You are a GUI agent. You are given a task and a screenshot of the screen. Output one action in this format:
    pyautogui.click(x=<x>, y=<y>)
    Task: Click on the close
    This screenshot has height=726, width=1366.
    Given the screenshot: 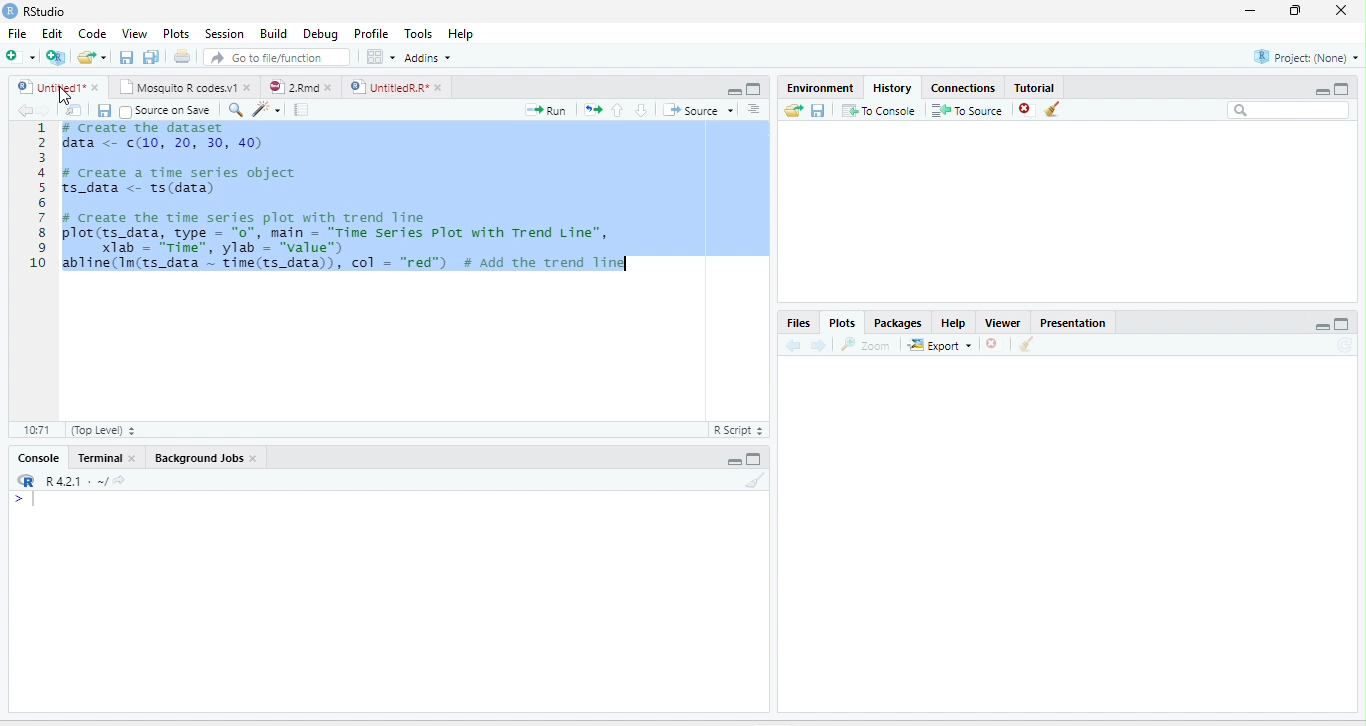 What is the action you would take?
    pyautogui.click(x=1341, y=11)
    